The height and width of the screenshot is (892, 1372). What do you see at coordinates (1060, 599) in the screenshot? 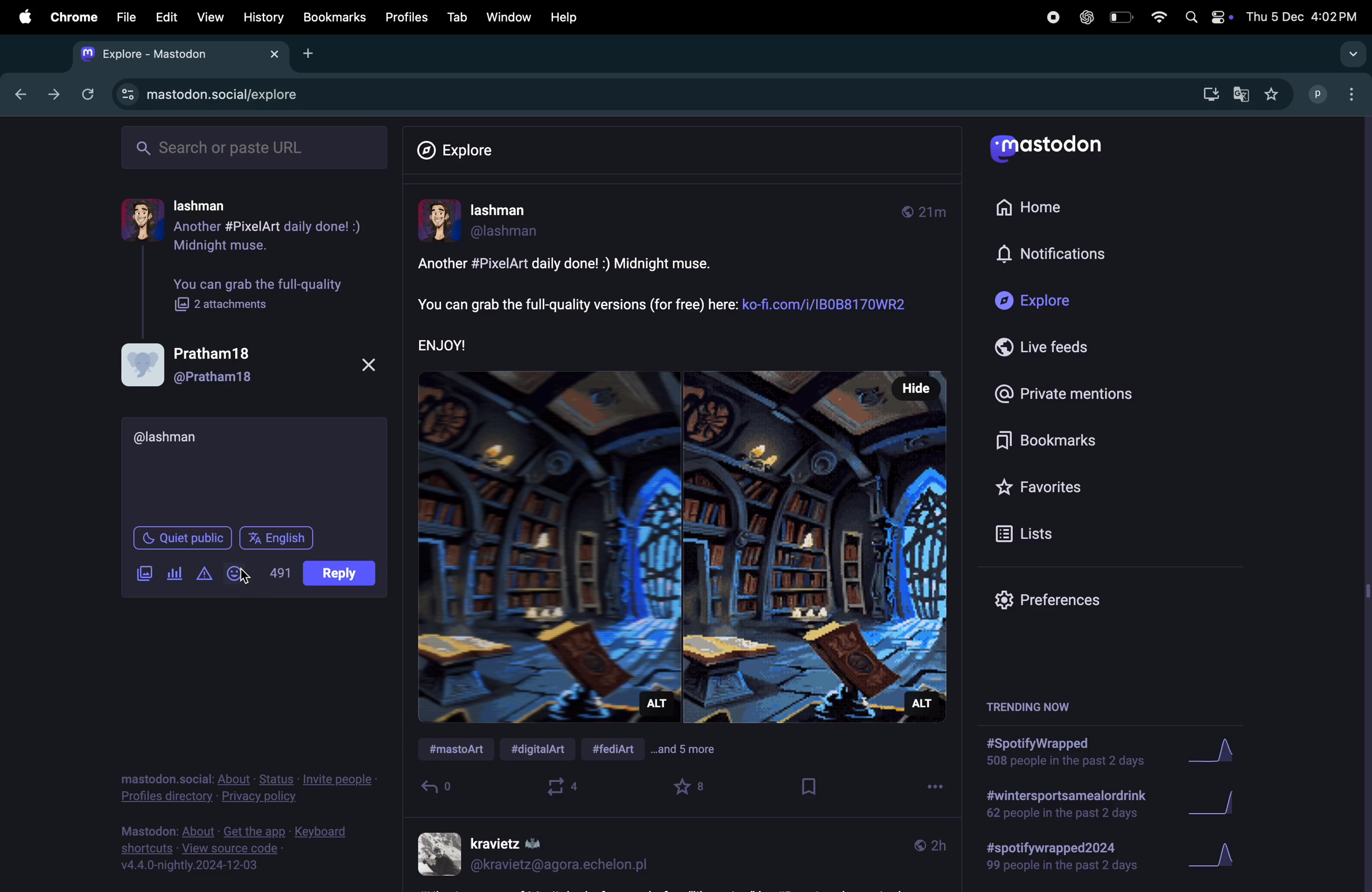
I see `prefrences` at bounding box center [1060, 599].